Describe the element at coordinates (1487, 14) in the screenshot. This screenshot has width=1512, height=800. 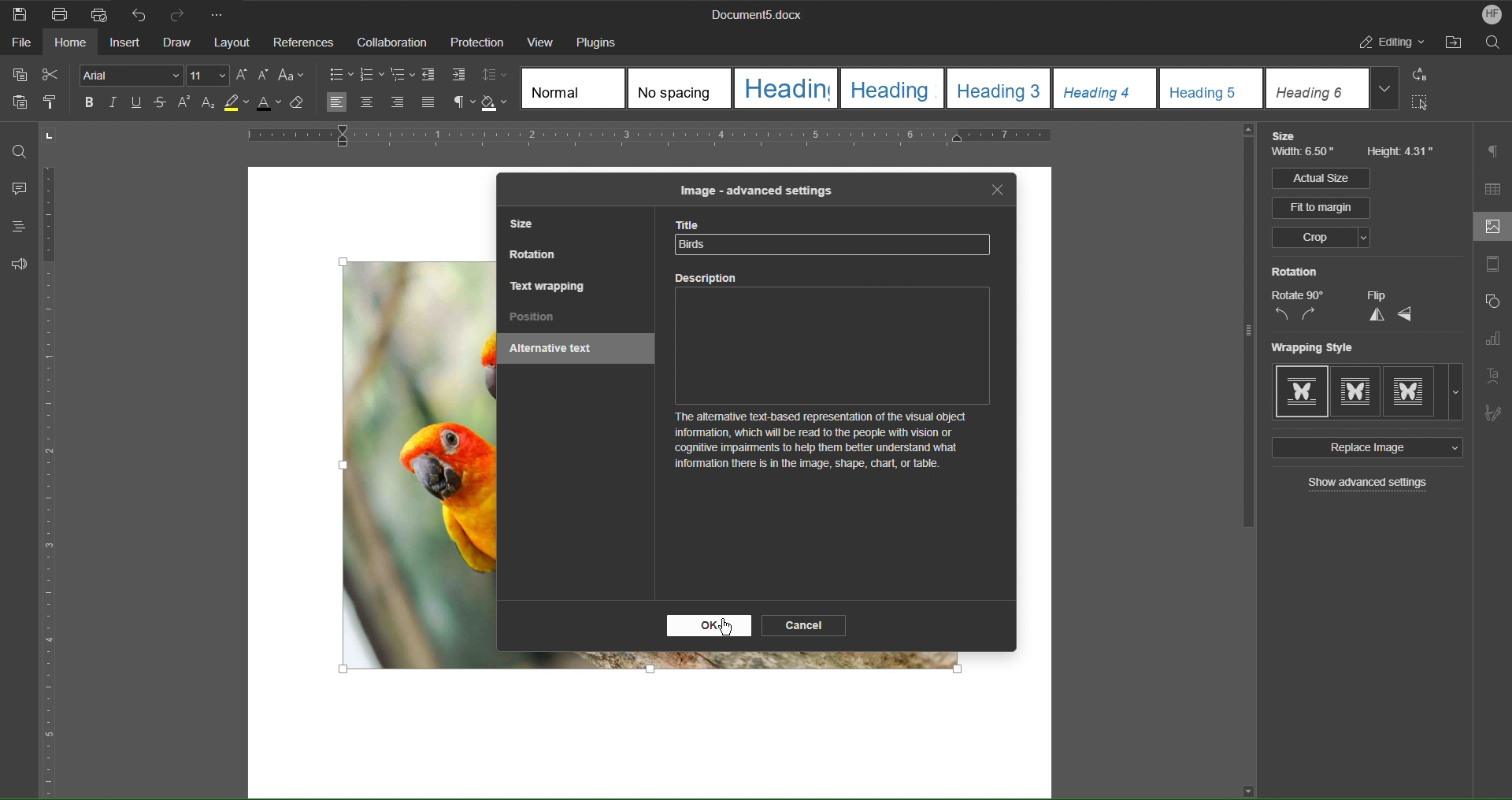
I see `Account` at that location.